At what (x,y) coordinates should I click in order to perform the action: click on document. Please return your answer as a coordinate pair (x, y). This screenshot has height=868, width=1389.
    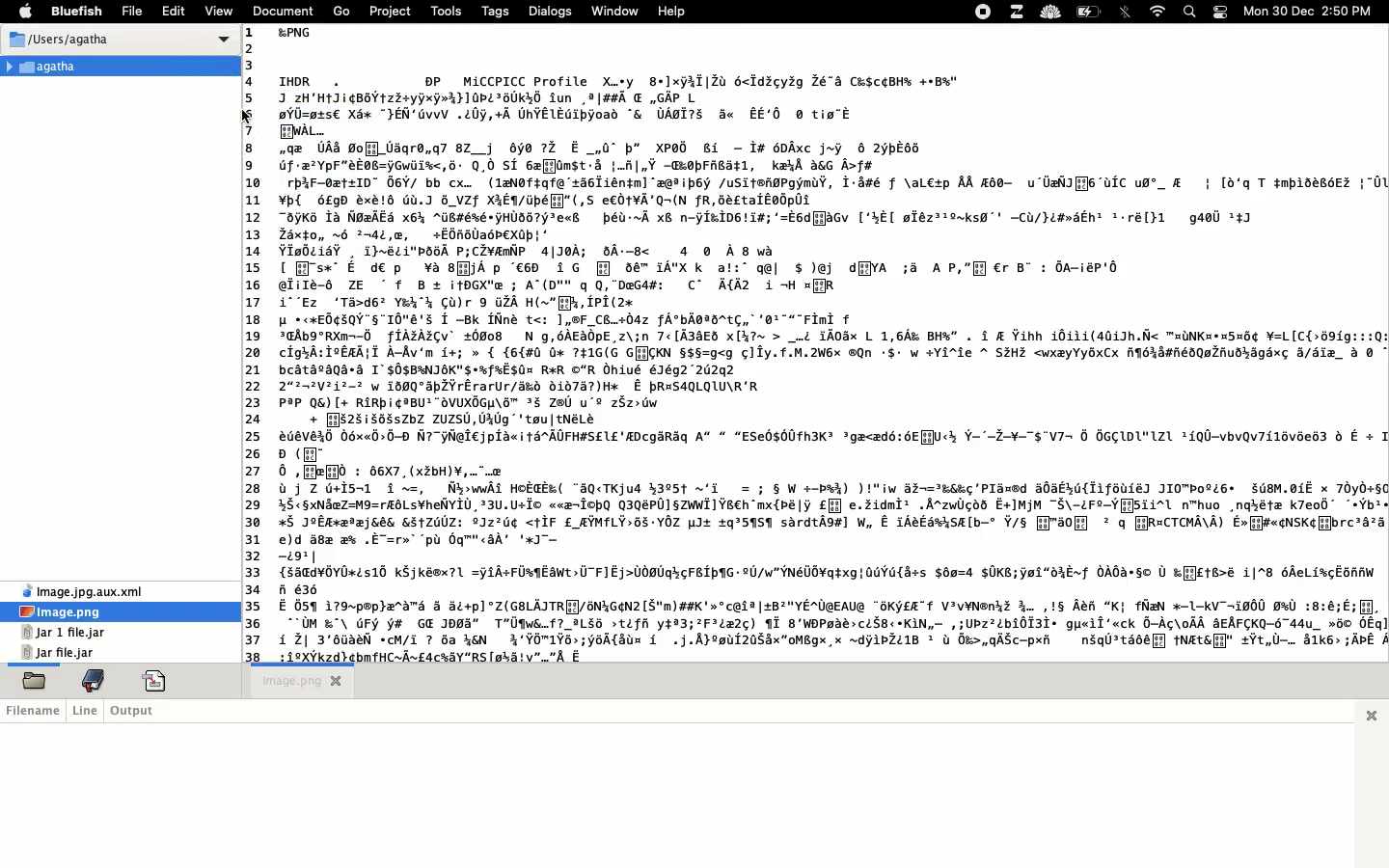
    Looking at the image, I should click on (282, 11).